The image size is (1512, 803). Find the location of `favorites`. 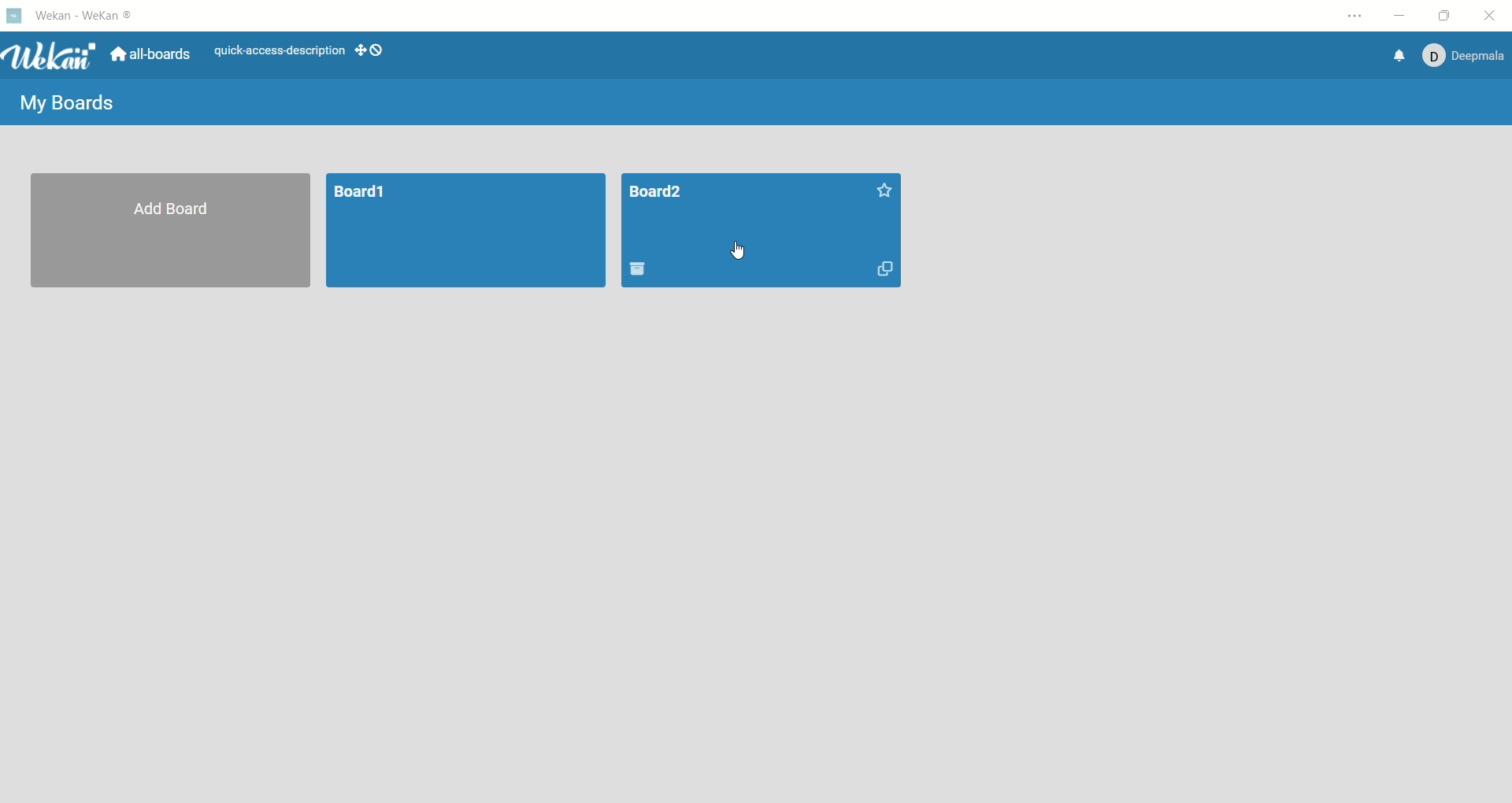

favorites is located at coordinates (887, 189).